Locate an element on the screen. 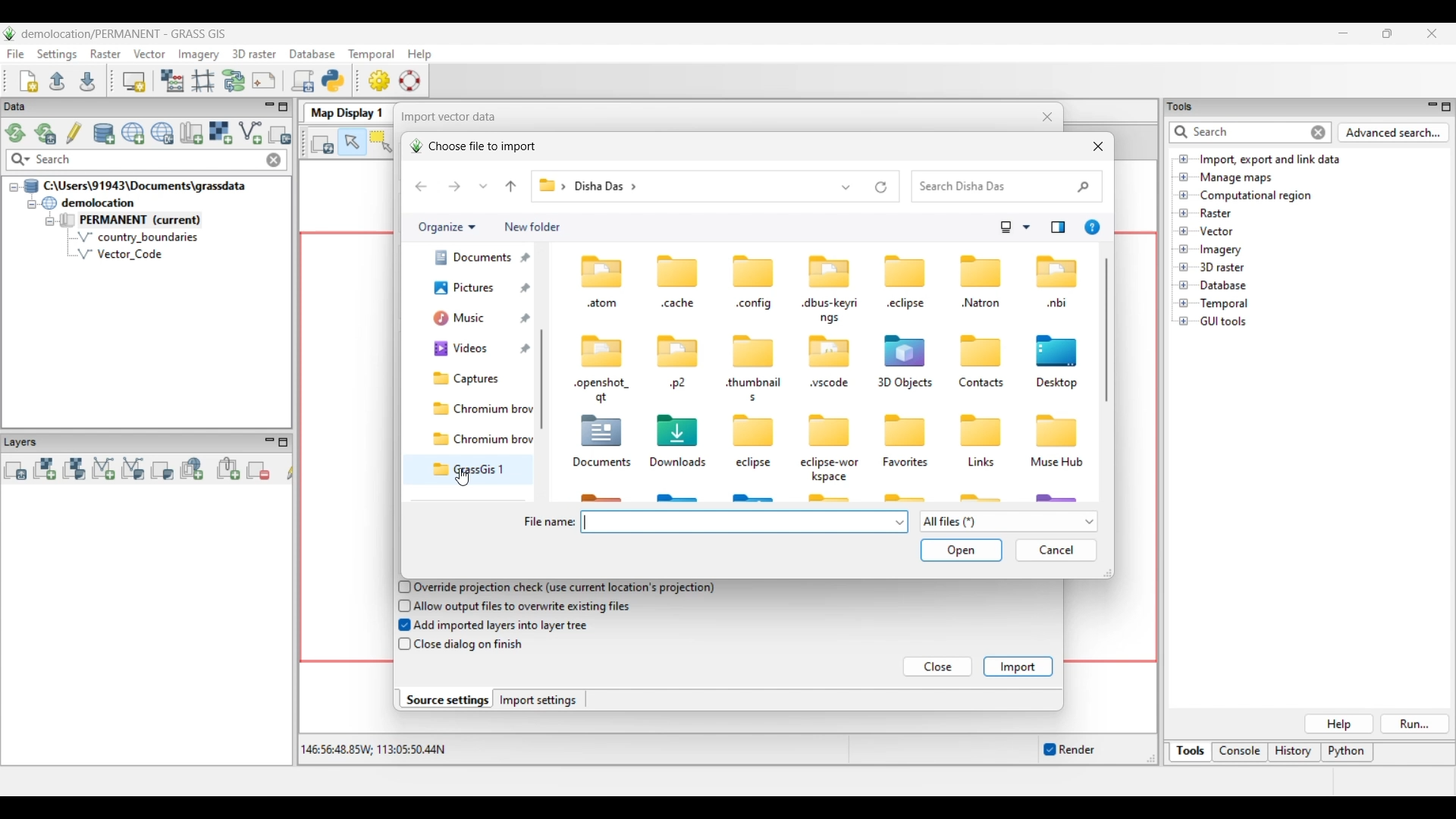  Click to open GUI tools is located at coordinates (1184, 322).